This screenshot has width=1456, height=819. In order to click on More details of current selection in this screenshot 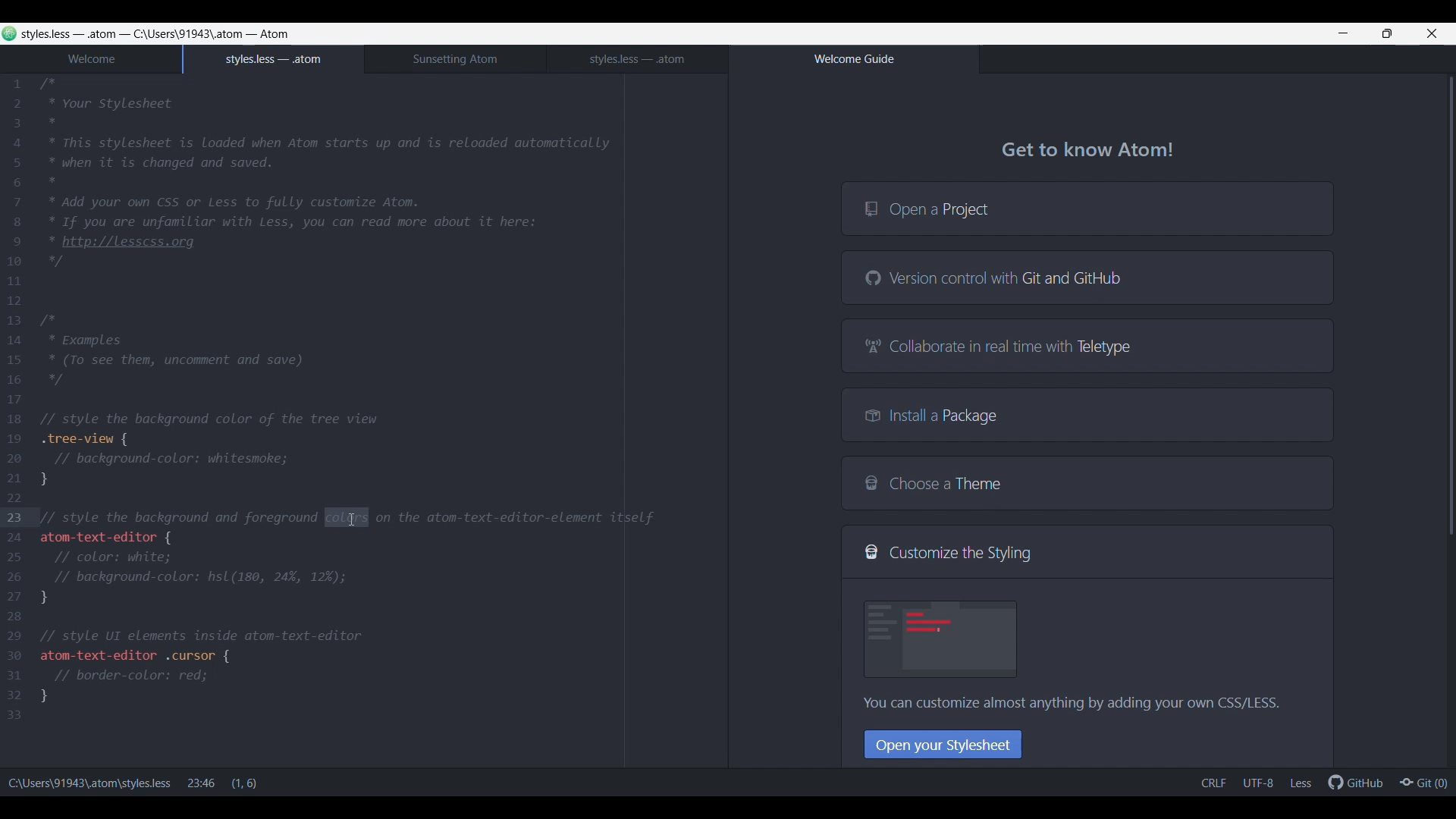, I will do `click(1257, 783)`.